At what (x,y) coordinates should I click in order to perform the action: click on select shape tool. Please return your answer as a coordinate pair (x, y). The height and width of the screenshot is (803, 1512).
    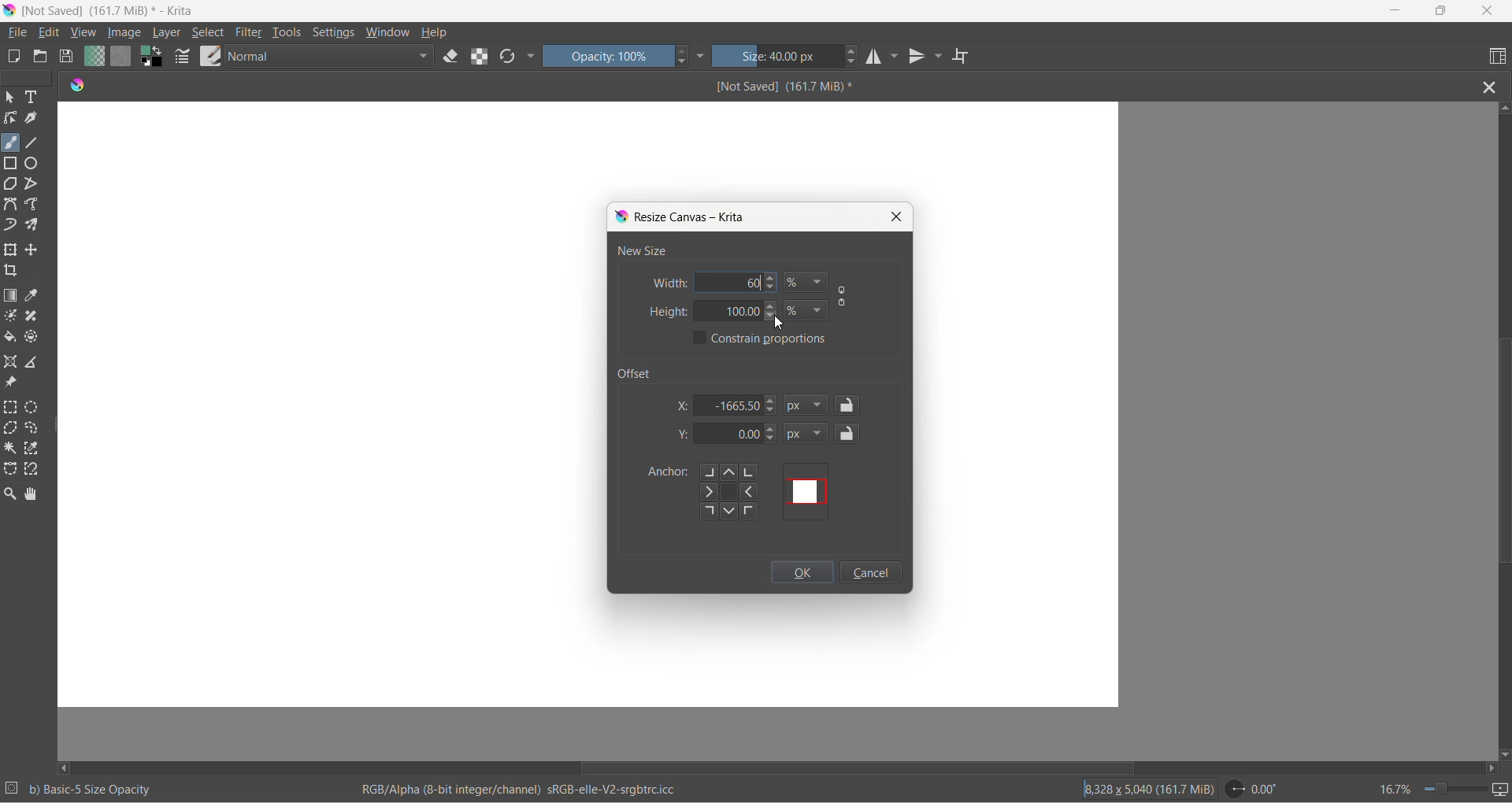
    Looking at the image, I should click on (10, 98).